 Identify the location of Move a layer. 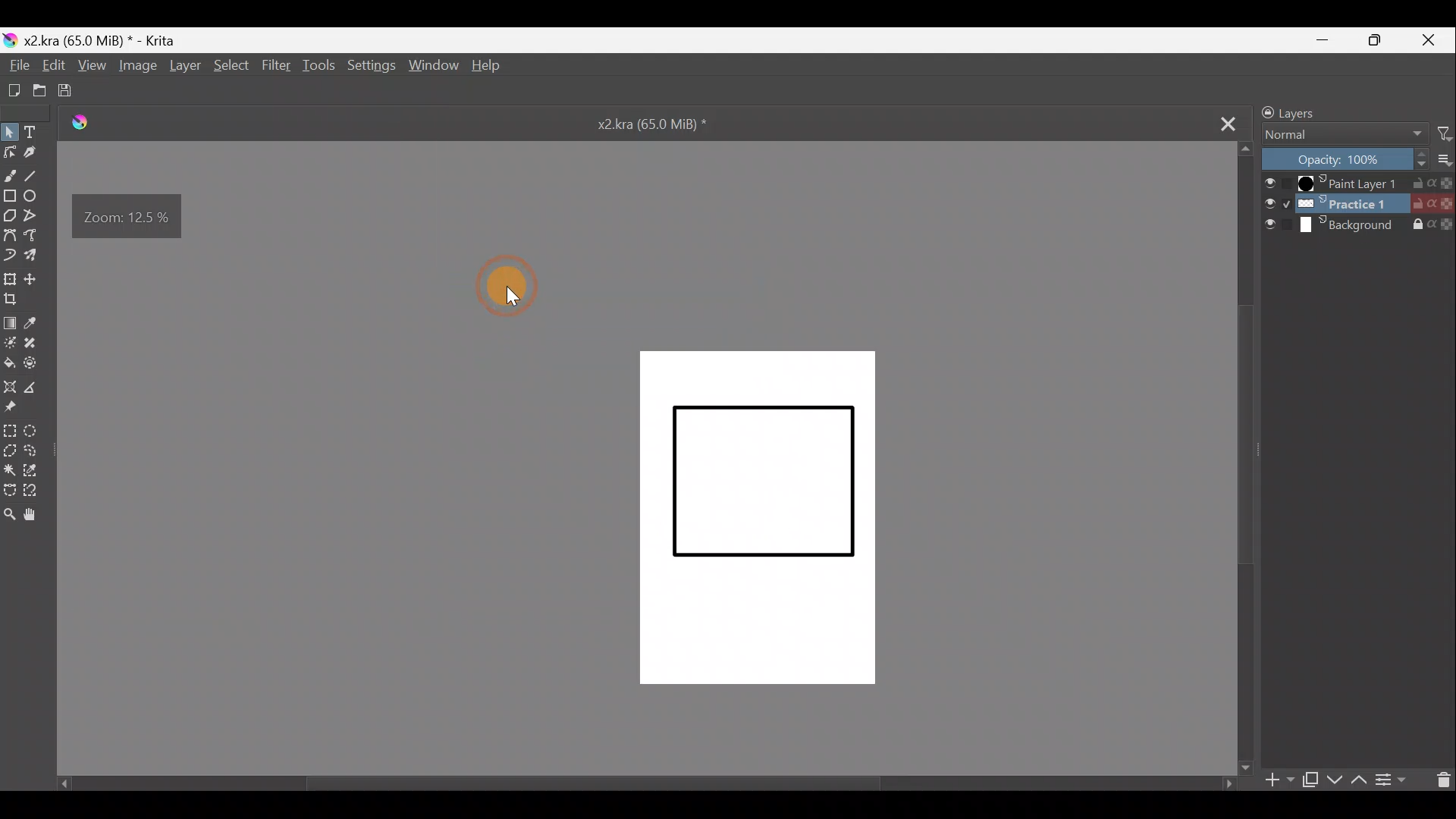
(36, 281).